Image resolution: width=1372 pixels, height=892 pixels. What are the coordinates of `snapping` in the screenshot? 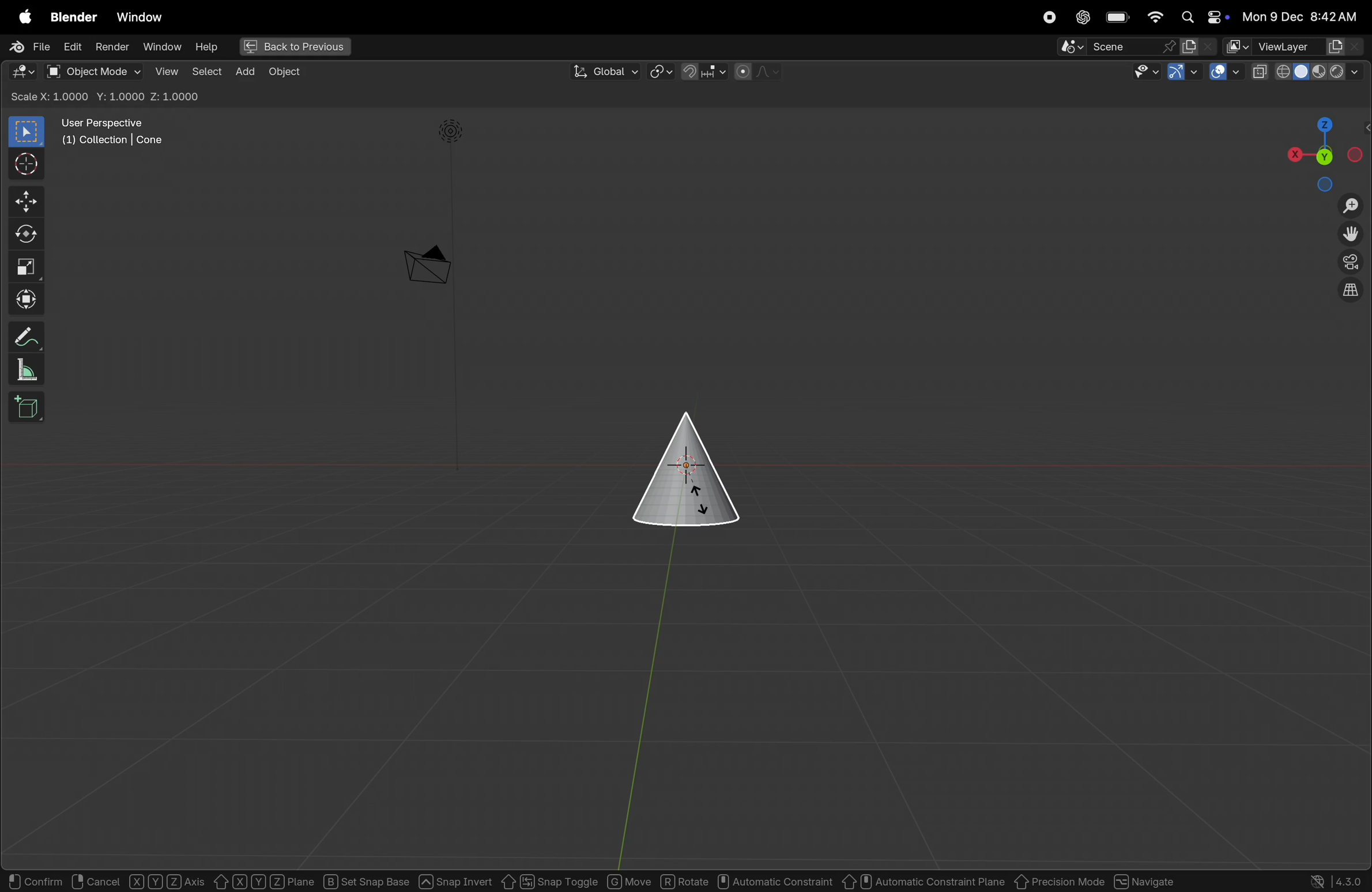 It's located at (705, 71).